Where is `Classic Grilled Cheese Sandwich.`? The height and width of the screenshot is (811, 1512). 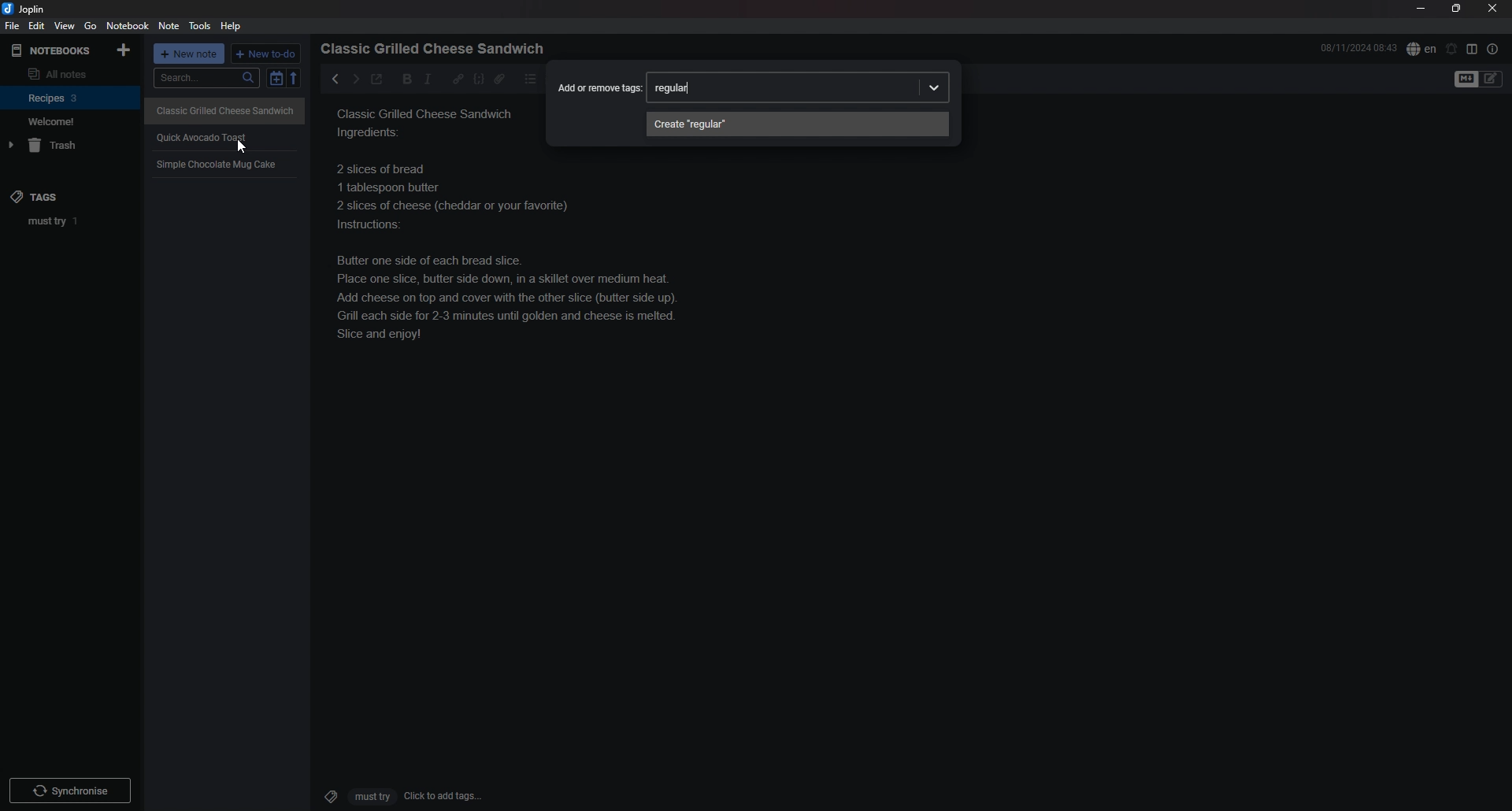 Classic Grilled Cheese Sandwich. is located at coordinates (428, 123).